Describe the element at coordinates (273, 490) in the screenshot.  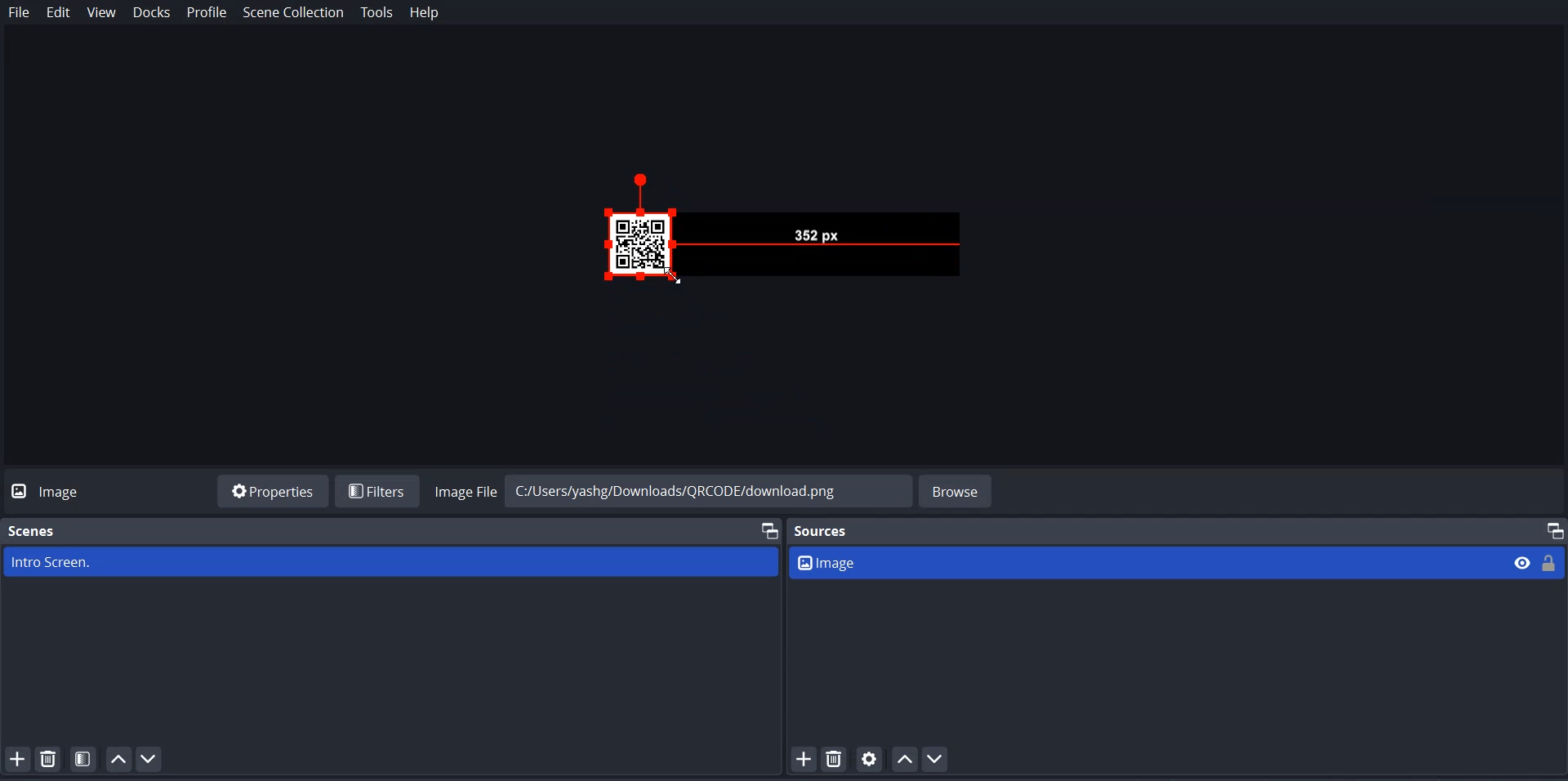
I see `Properties` at that location.